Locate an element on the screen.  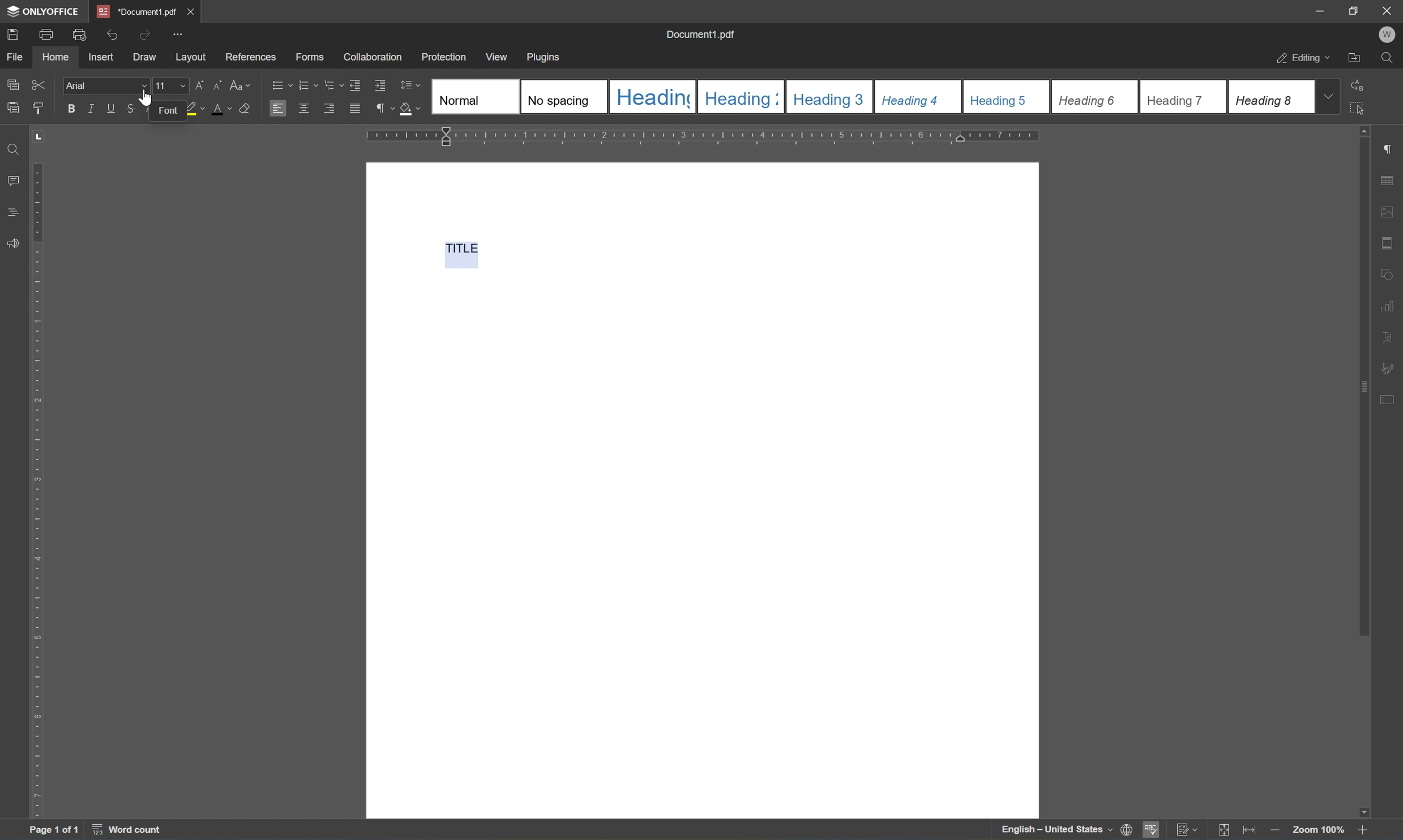
redo is located at coordinates (147, 35).